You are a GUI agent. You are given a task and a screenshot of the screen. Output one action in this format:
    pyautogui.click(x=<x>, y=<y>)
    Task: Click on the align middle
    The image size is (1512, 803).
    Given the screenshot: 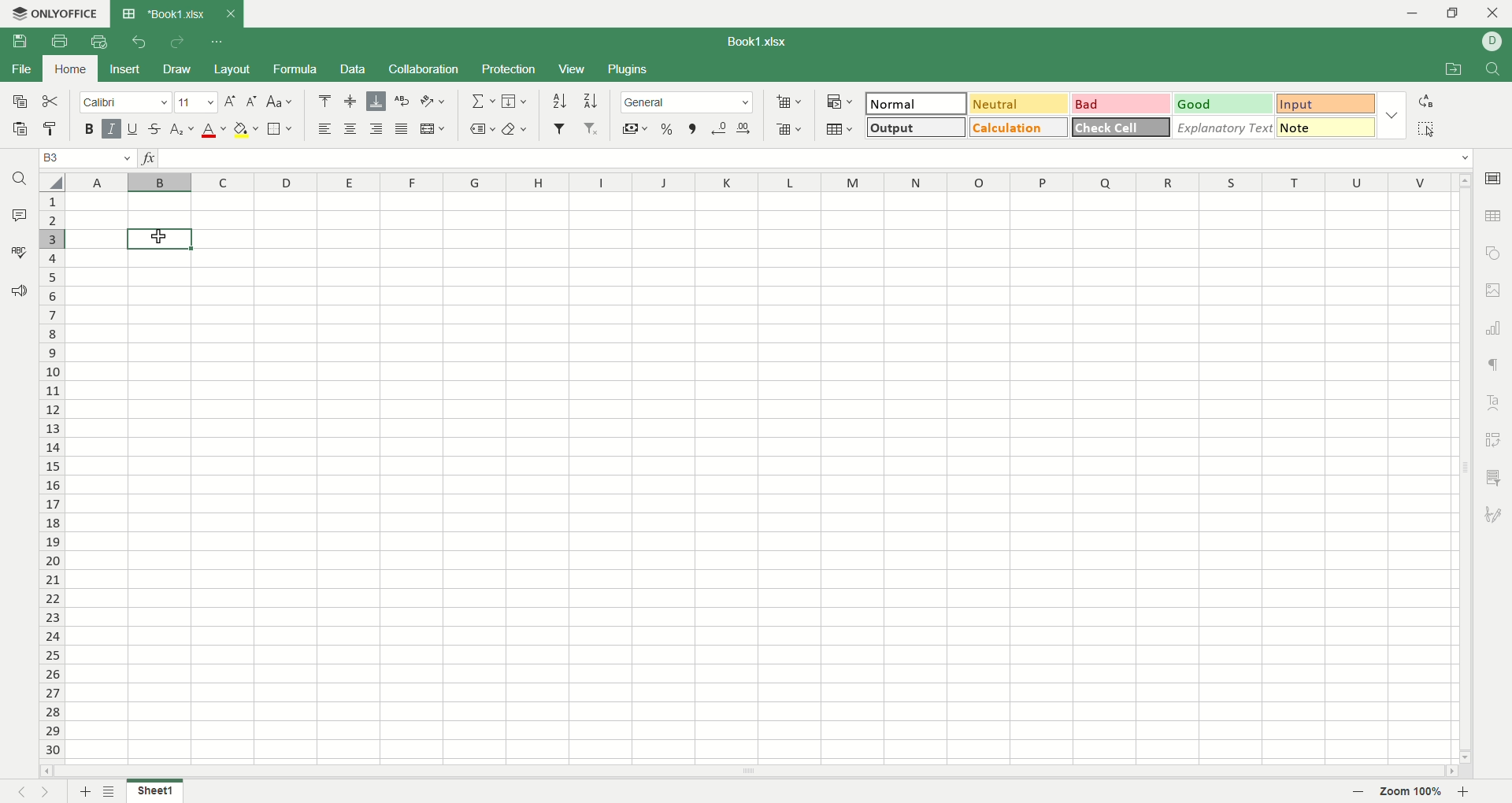 What is the action you would take?
    pyautogui.click(x=353, y=102)
    